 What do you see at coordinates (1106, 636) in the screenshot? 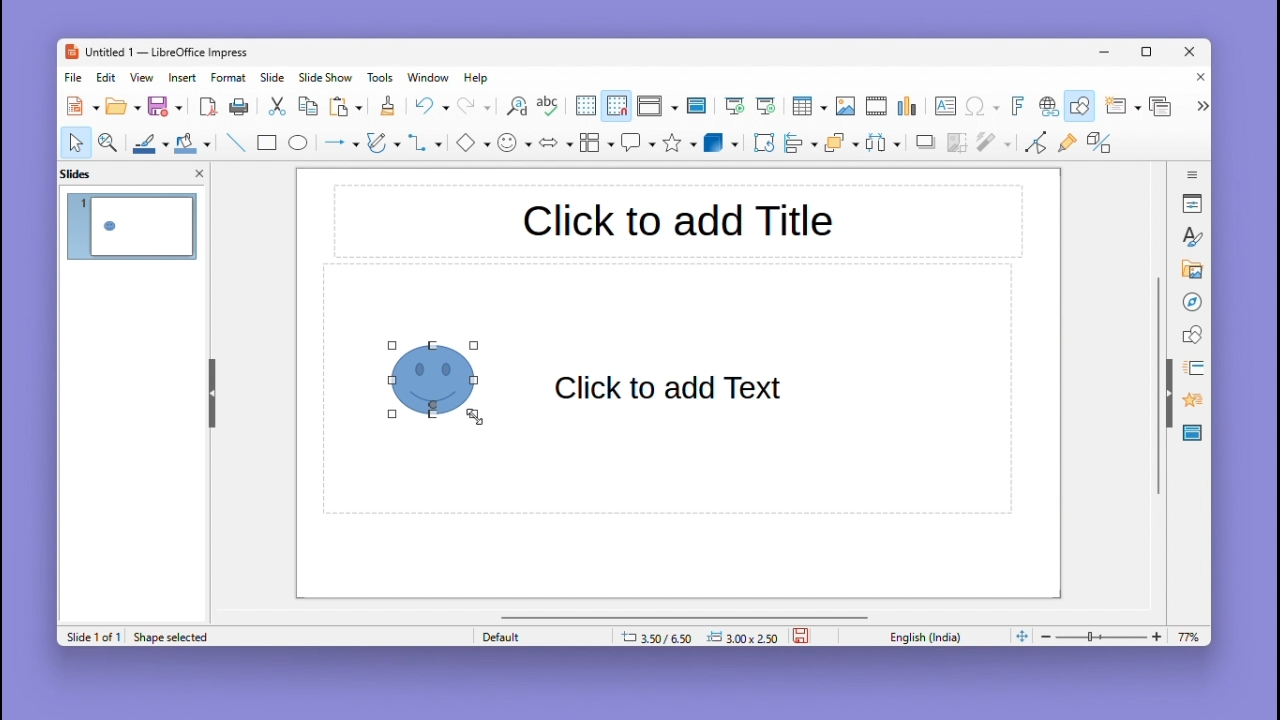
I see `zoom toggle bar` at bounding box center [1106, 636].